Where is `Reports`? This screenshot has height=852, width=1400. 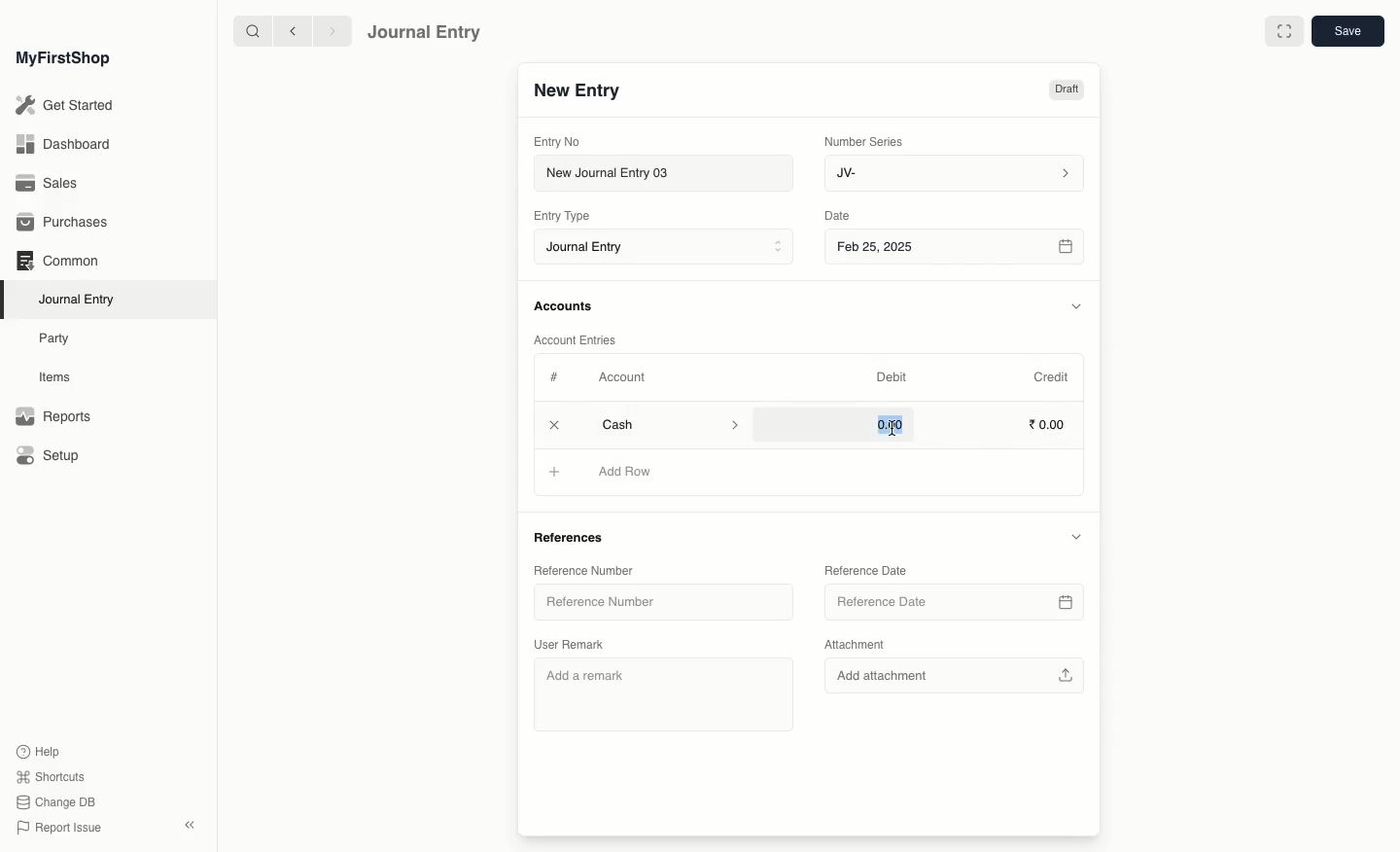 Reports is located at coordinates (52, 417).